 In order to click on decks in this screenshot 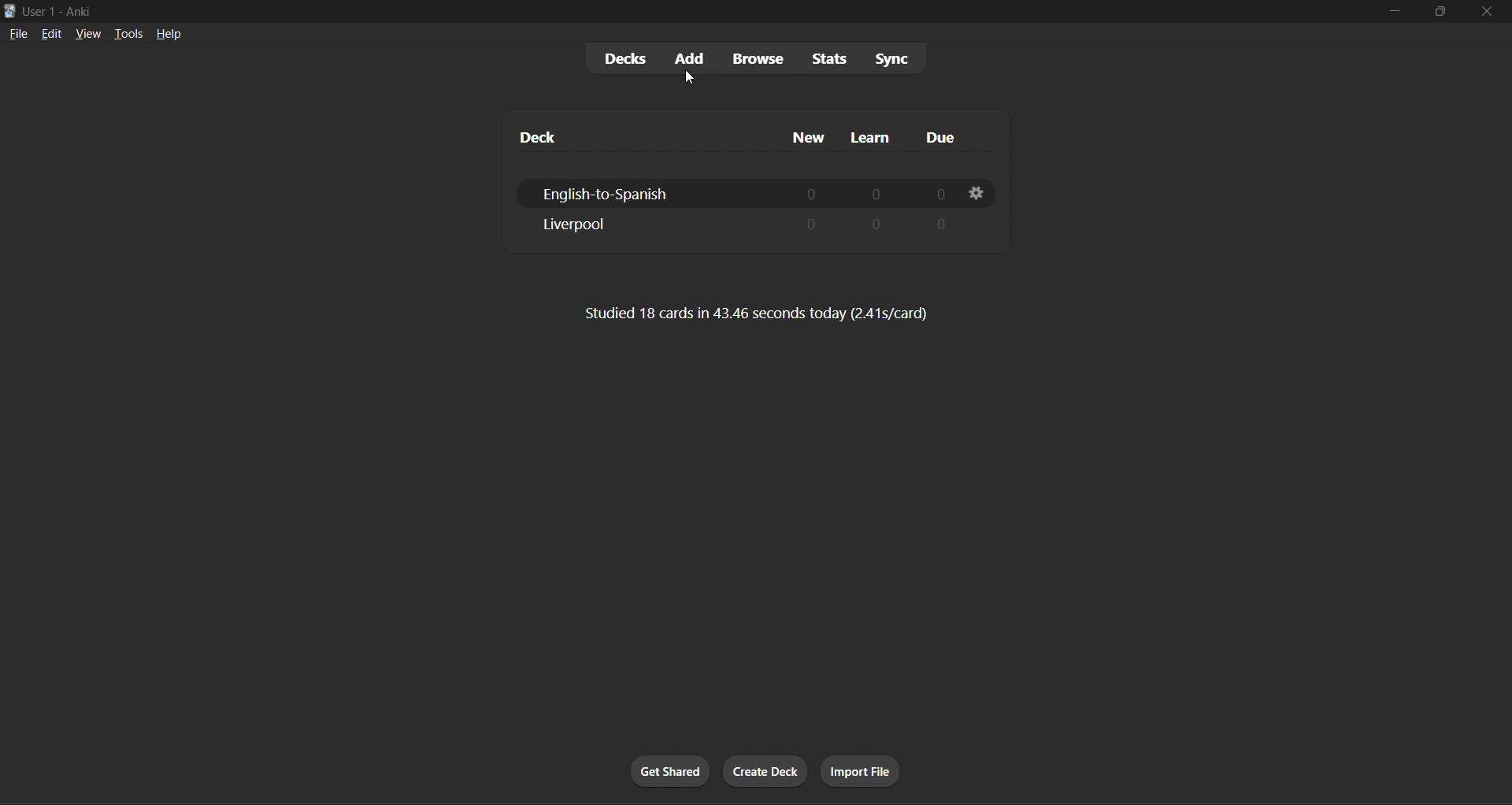, I will do `click(623, 58)`.